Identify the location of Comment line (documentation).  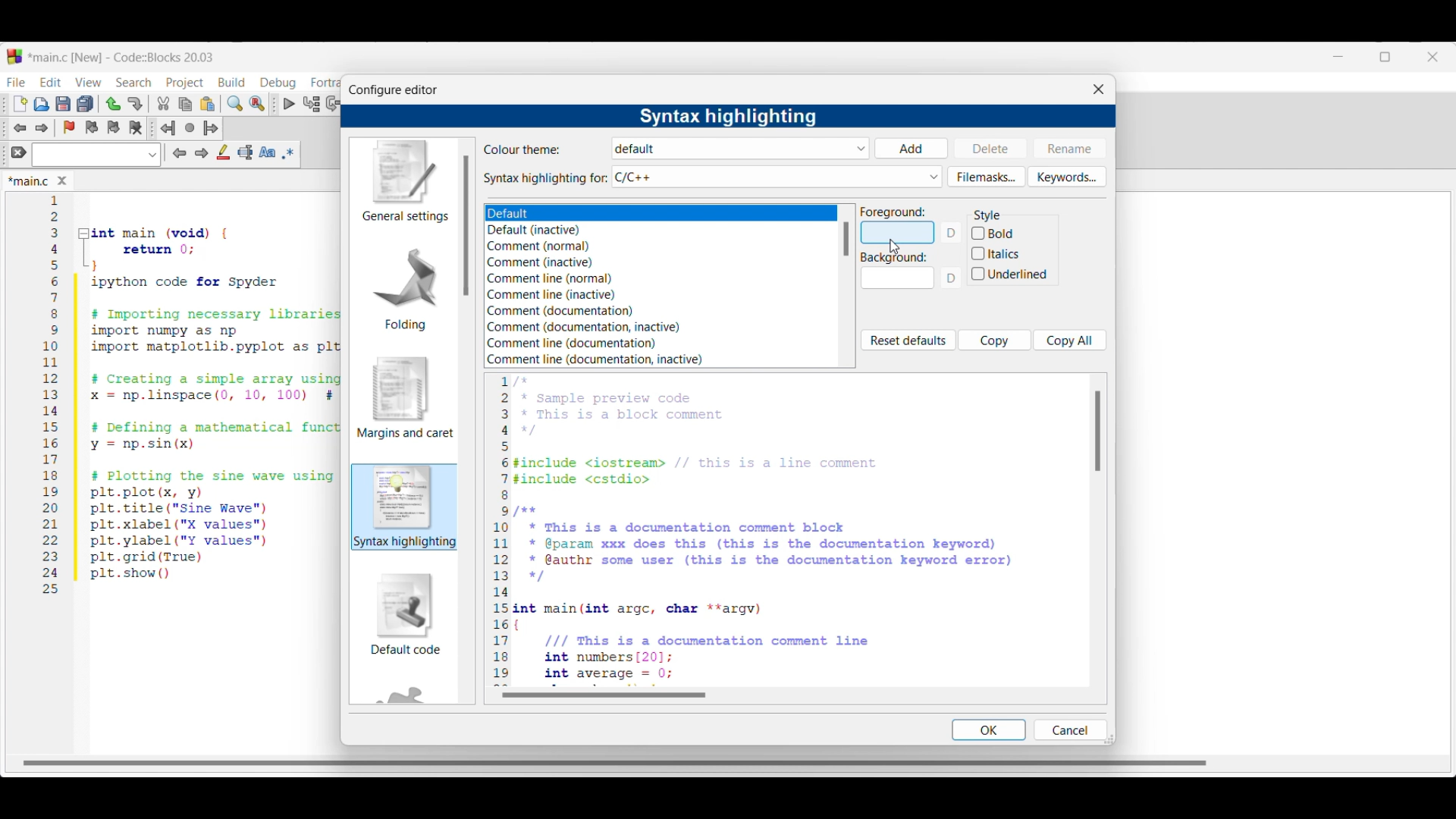
(589, 342).